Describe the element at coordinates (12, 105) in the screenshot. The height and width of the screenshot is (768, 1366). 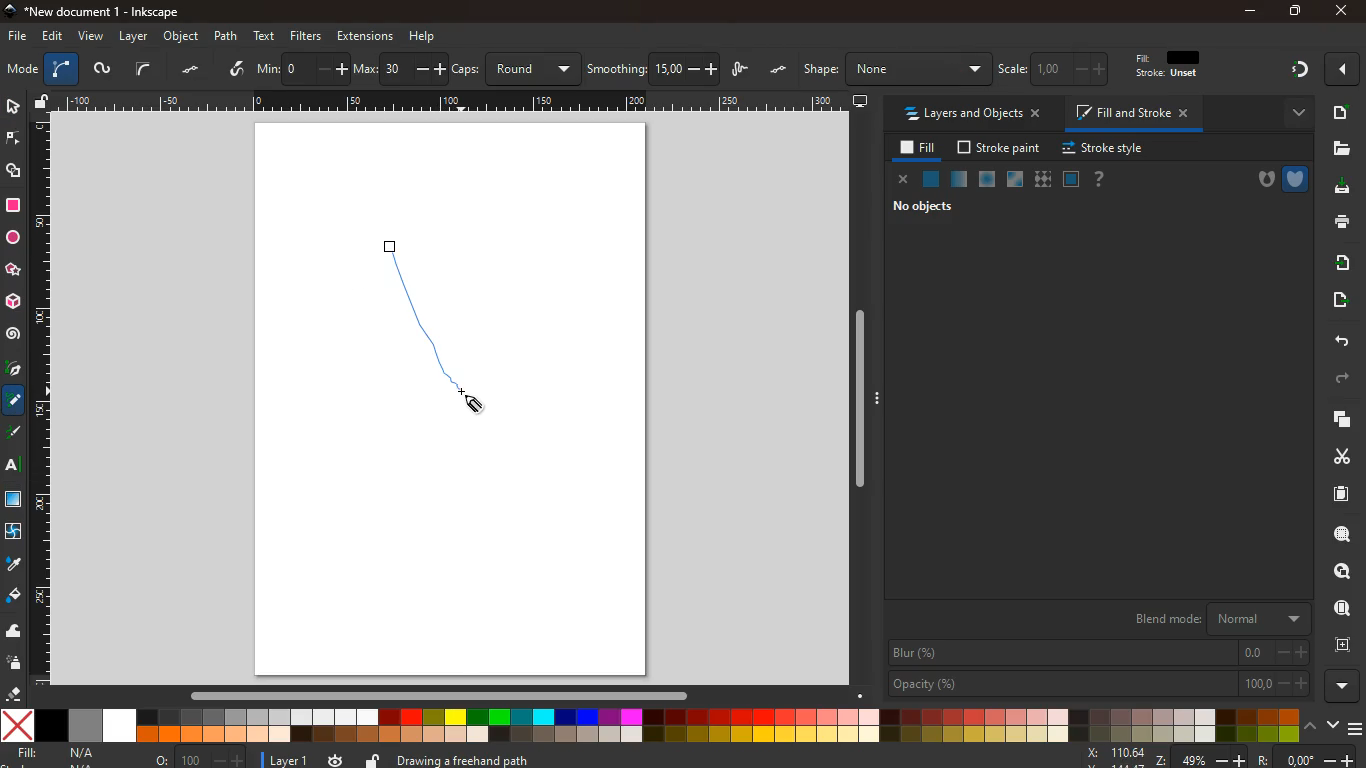
I see `select` at that location.